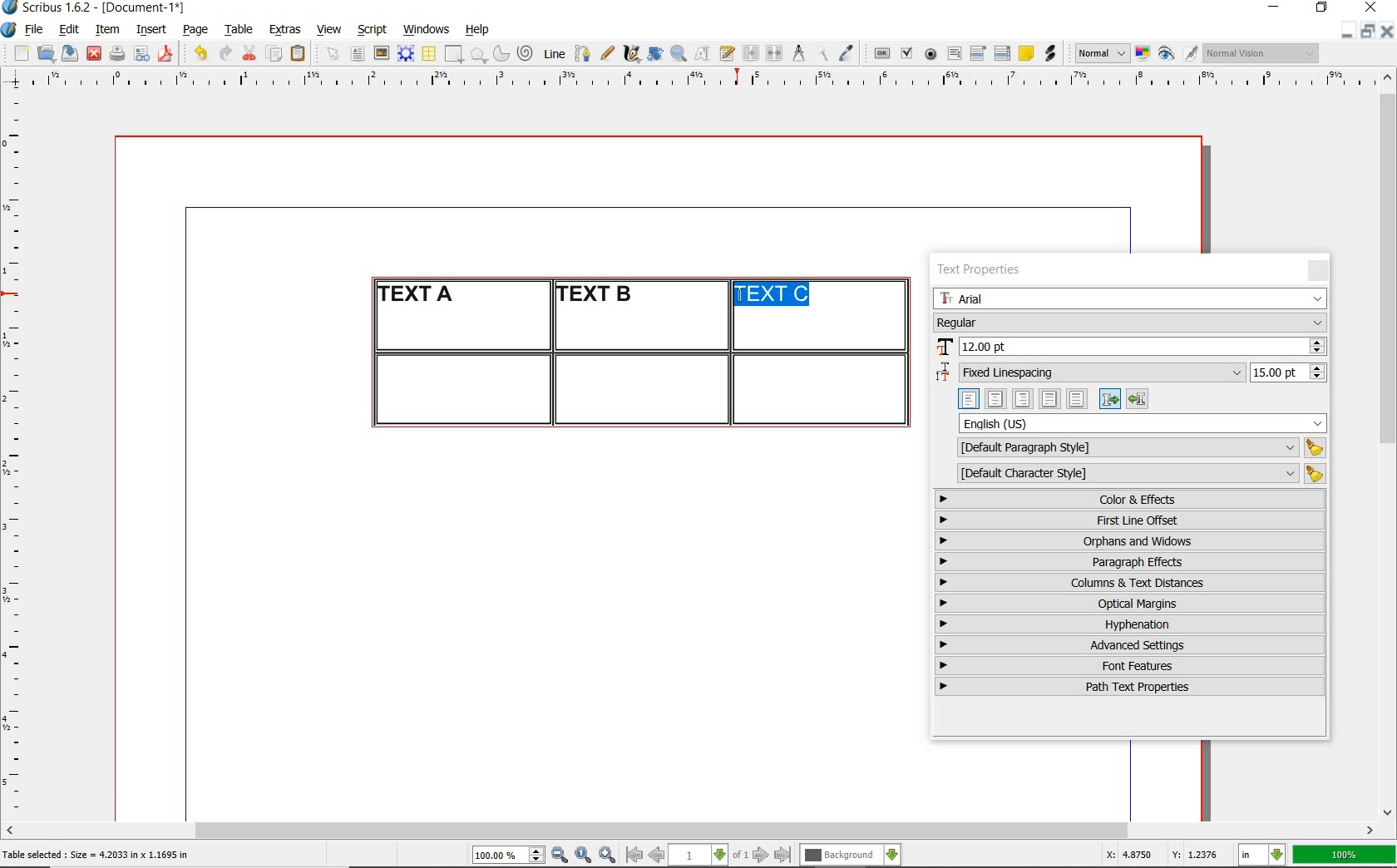  Describe the element at coordinates (239, 30) in the screenshot. I see `table` at that location.